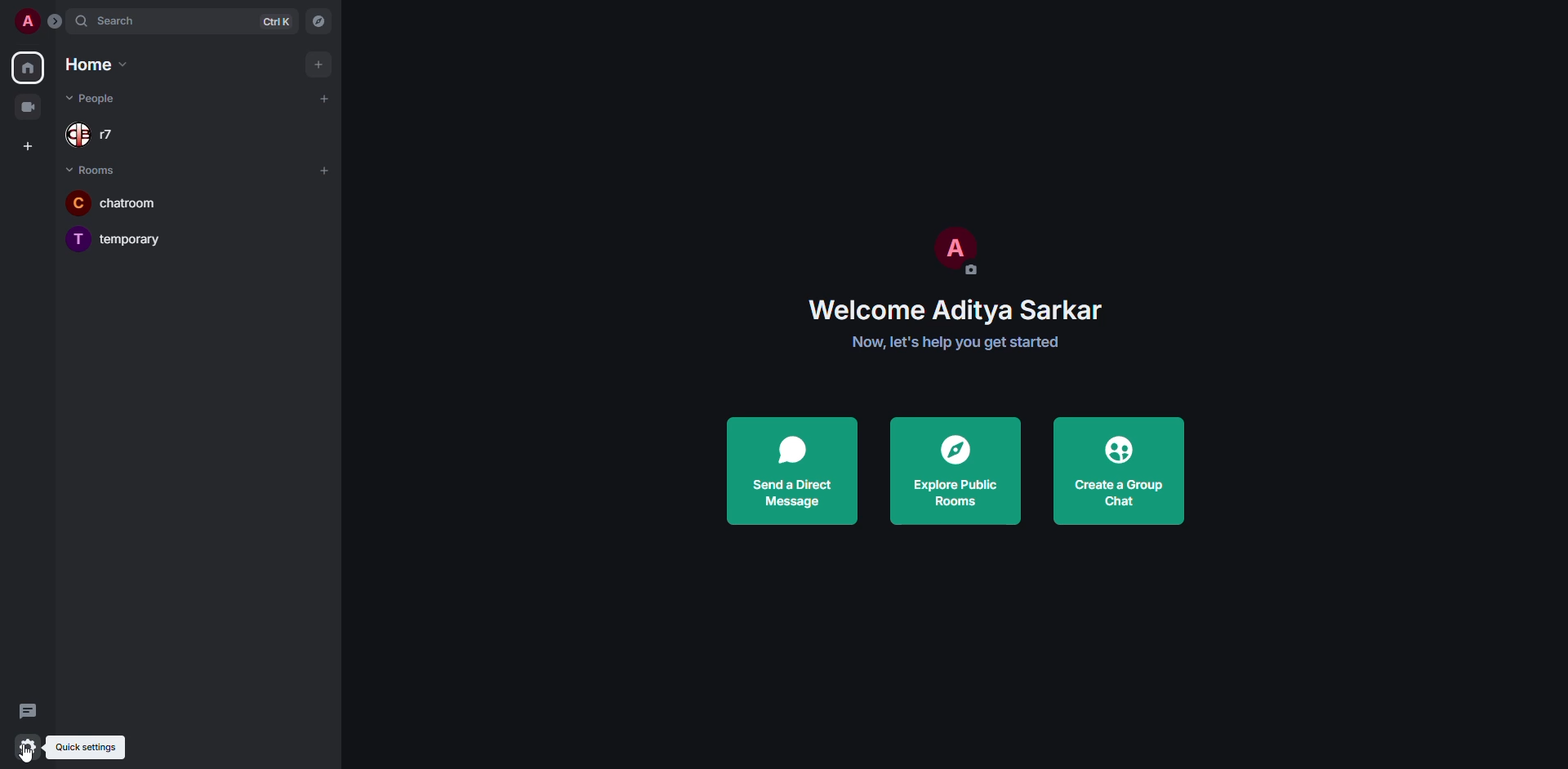 The width and height of the screenshot is (1568, 769). I want to click on r7, so click(99, 134).